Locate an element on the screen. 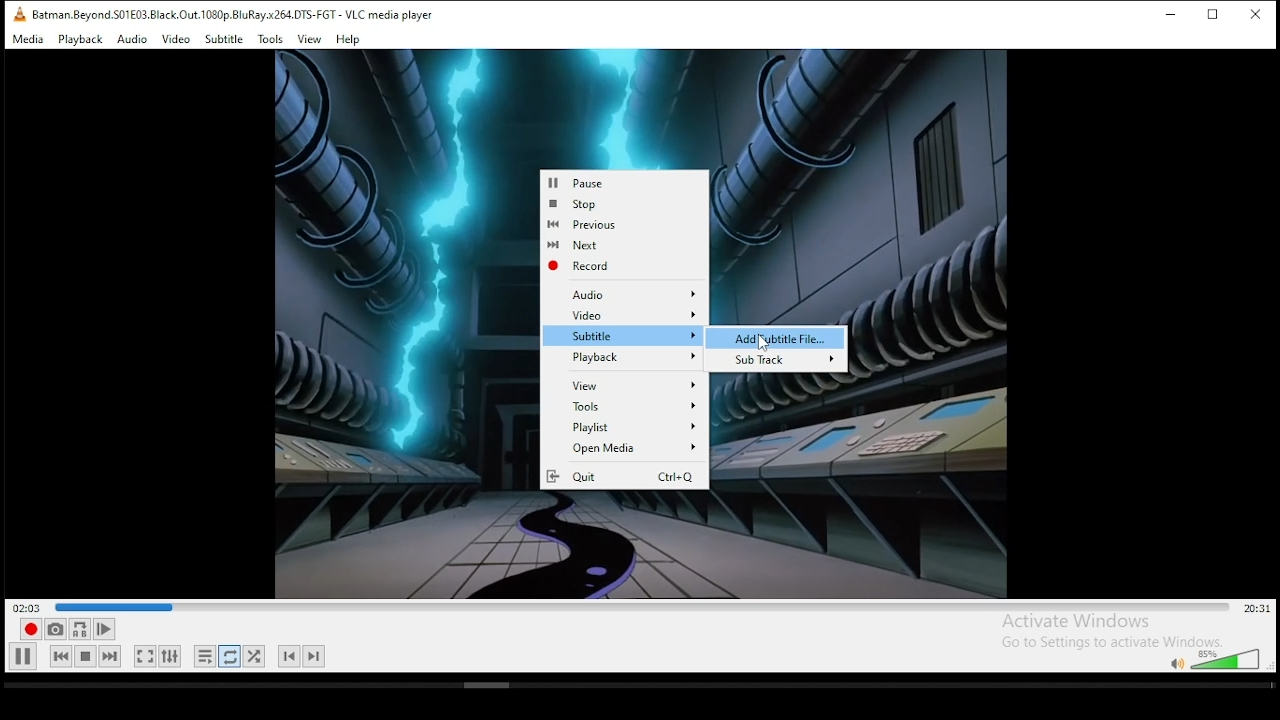 The height and width of the screenshot is (720, 1280). Sub Track options is located at coordinates (783, 360).